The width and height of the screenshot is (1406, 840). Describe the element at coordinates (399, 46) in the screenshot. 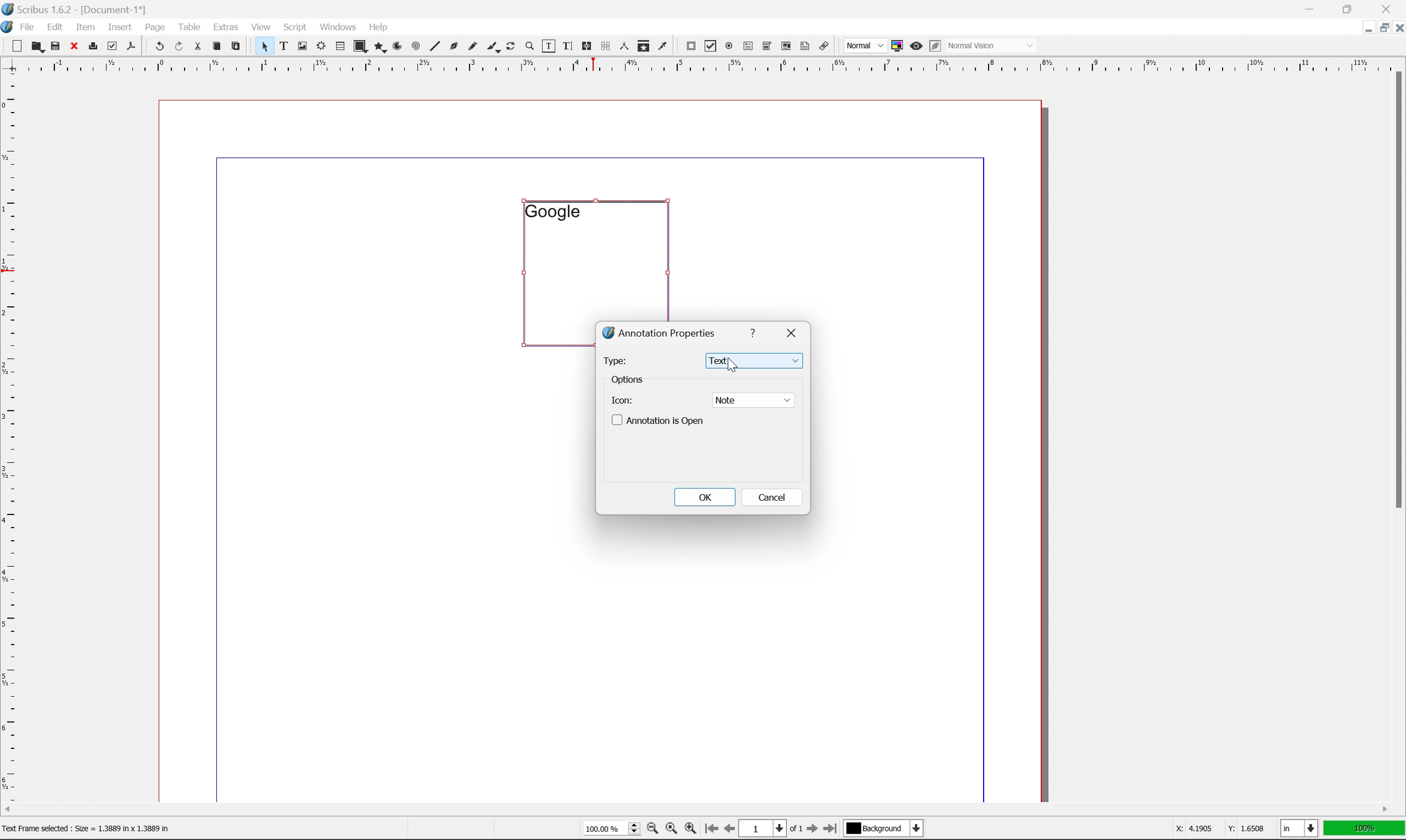

I see `arc` at that location.